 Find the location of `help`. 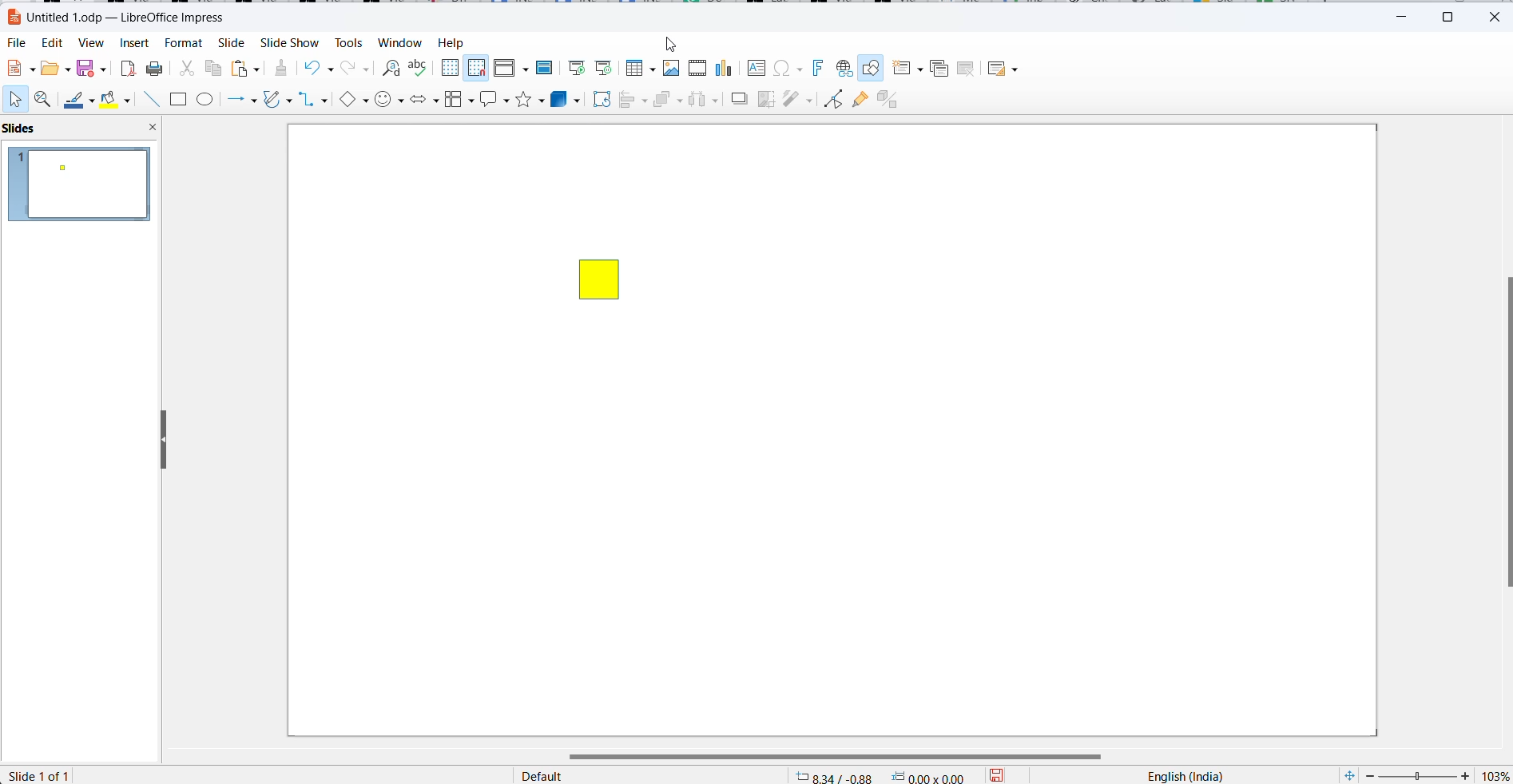

help is located at coordinates (451, 42).